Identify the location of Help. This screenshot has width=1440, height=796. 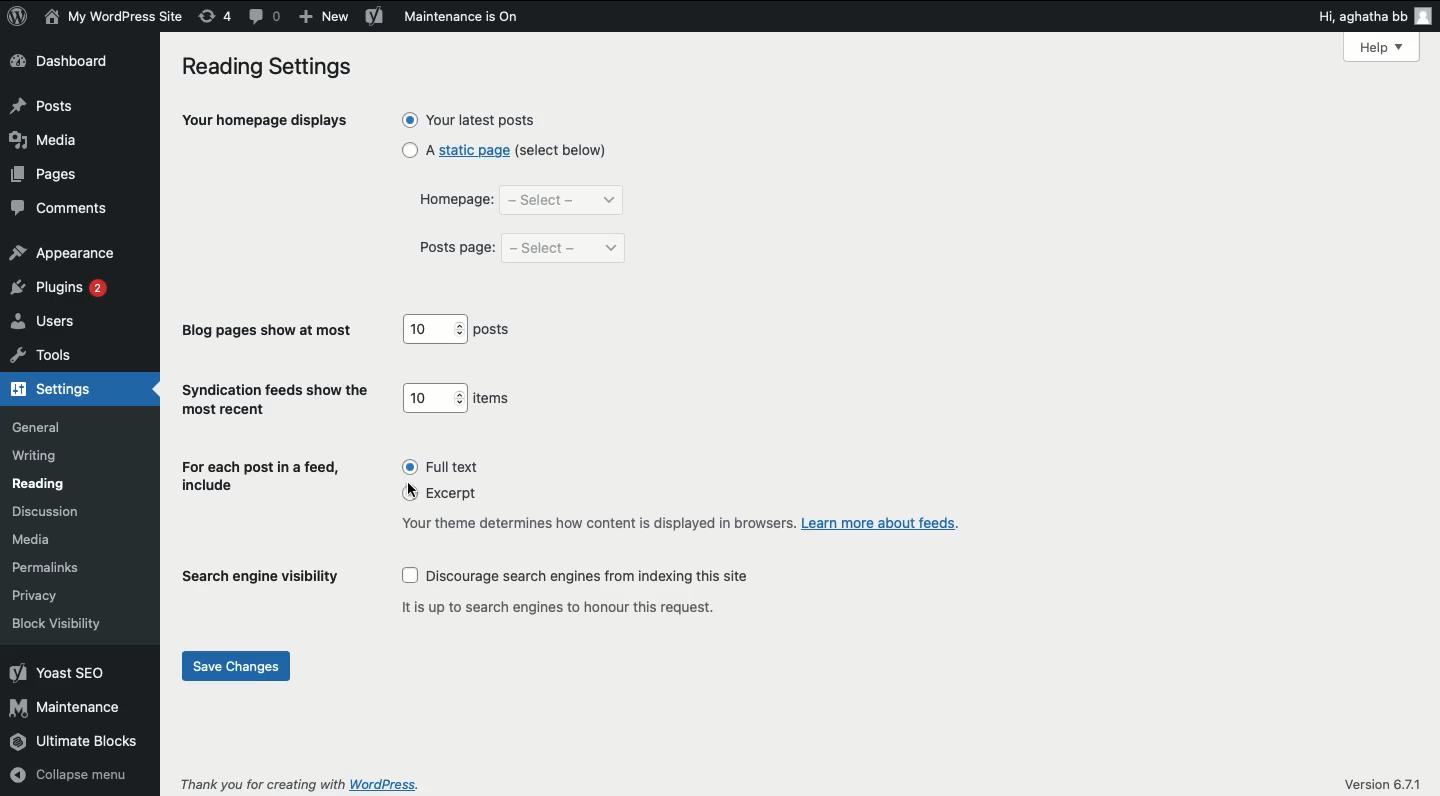
(1381, 47).